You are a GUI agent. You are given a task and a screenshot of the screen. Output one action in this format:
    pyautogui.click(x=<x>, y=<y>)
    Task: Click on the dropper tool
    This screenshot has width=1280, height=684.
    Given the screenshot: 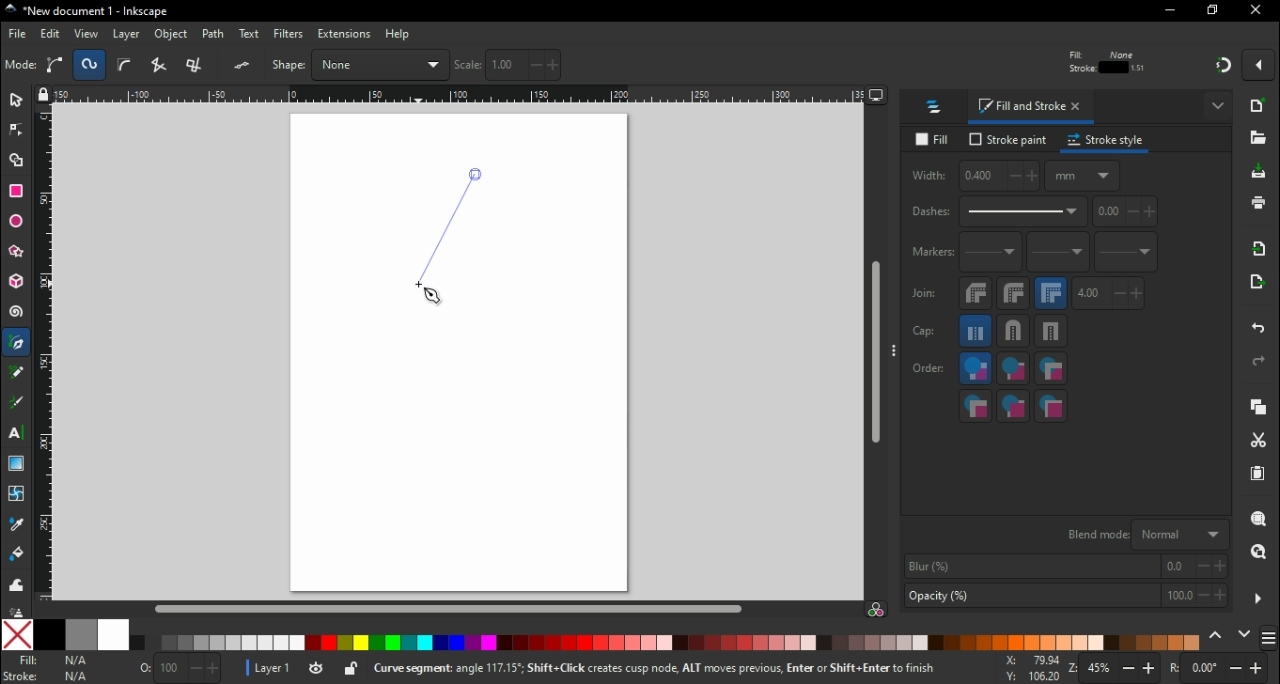 What is the action you would take?
    pyautogui.click(x=14, y=524)
    